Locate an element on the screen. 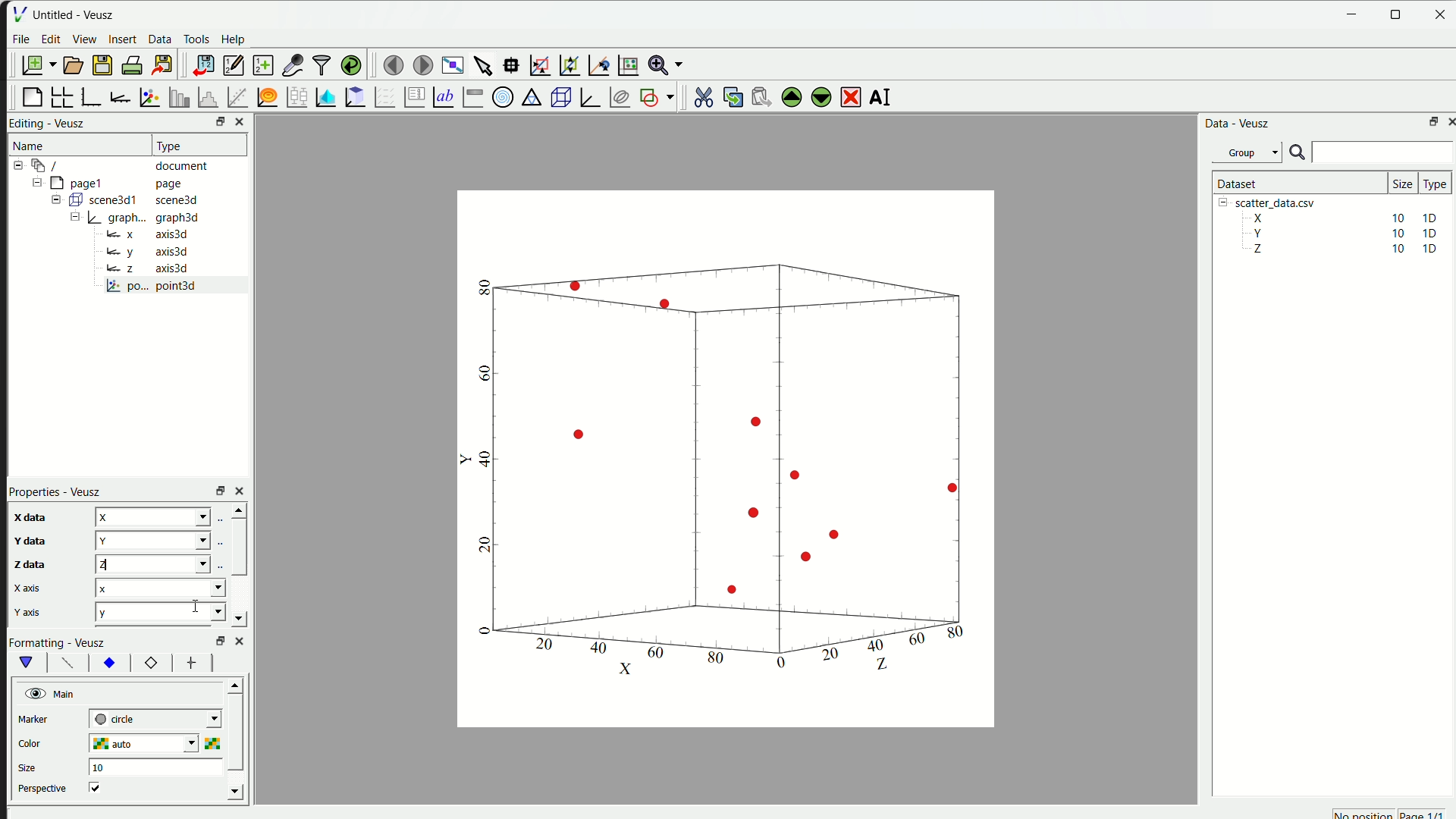  | next-tick is located at coordinates (162, 720).